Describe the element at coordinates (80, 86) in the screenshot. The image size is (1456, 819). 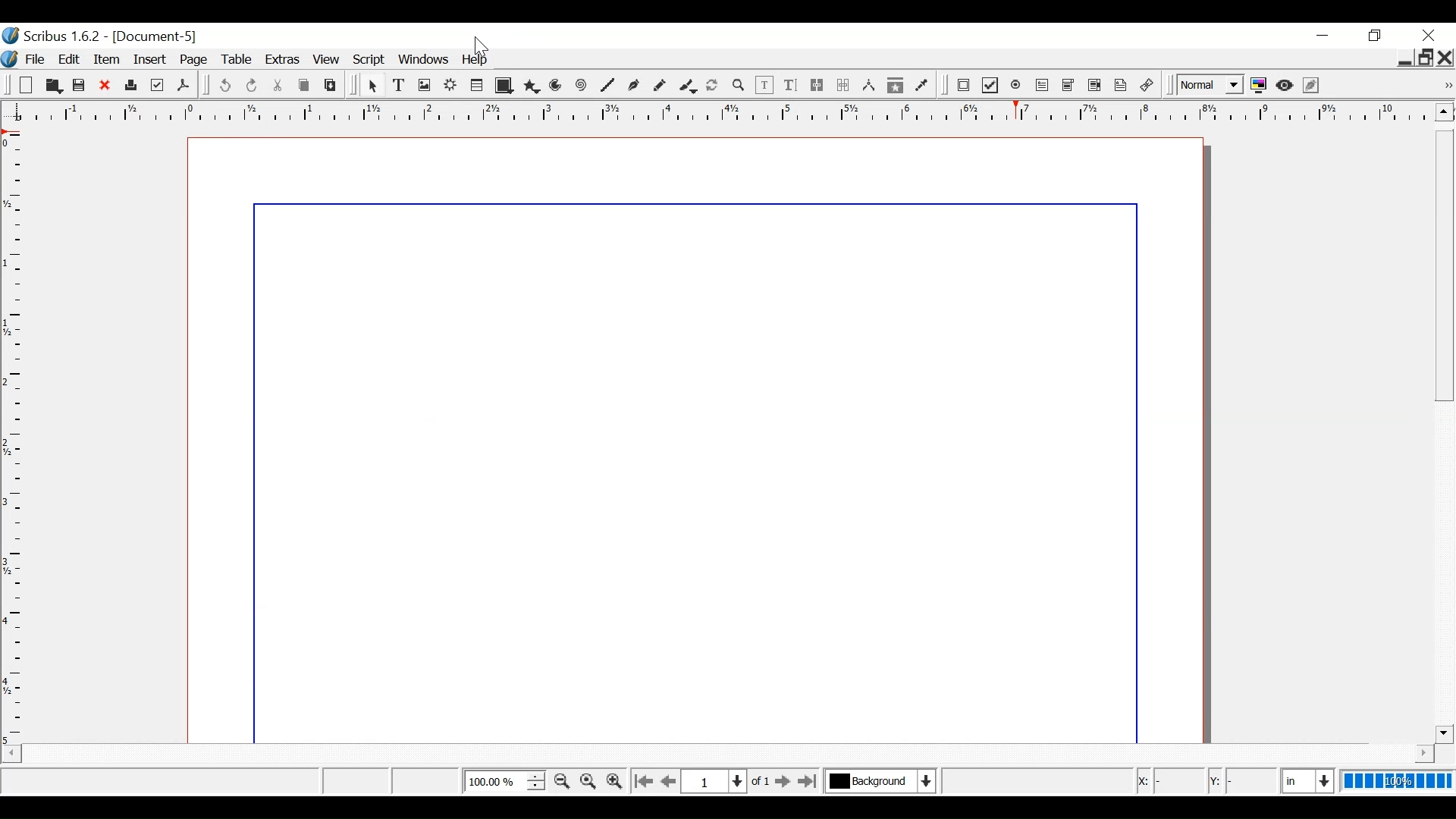
I see `Save` at that location.